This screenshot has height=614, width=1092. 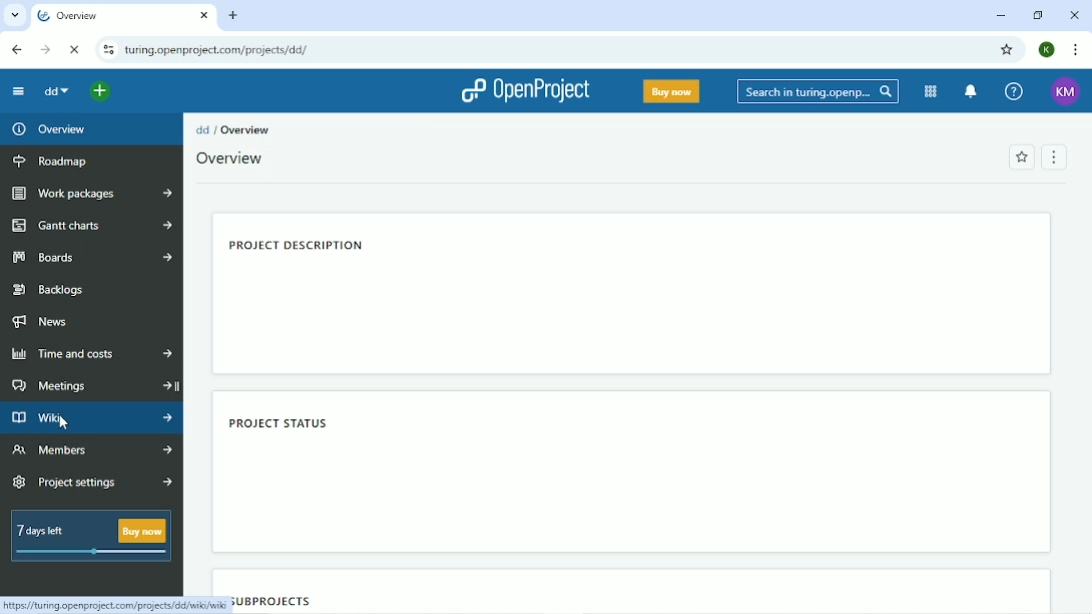 What do you see at coordinates (235, 15) in the screenshot?
I see `New tab` at bounding box center [235, 15].